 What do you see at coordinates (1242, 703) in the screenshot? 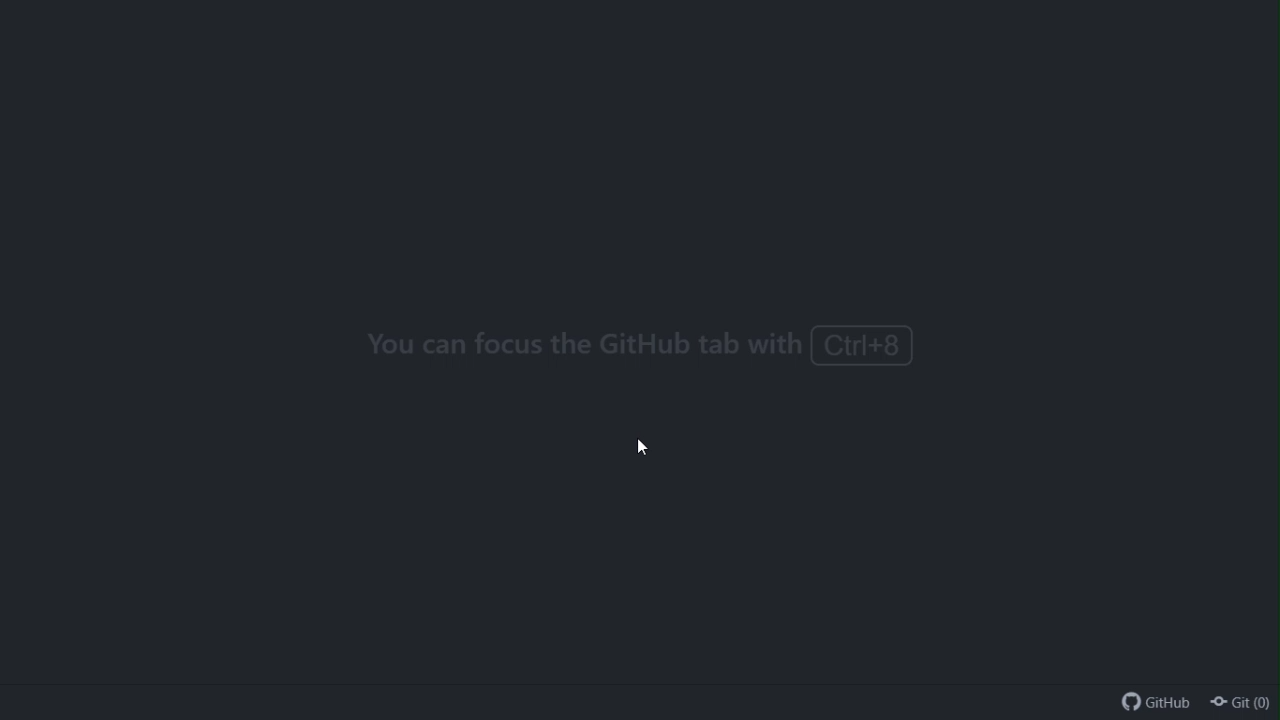
I see `git` at bounding box center [1242, 703].